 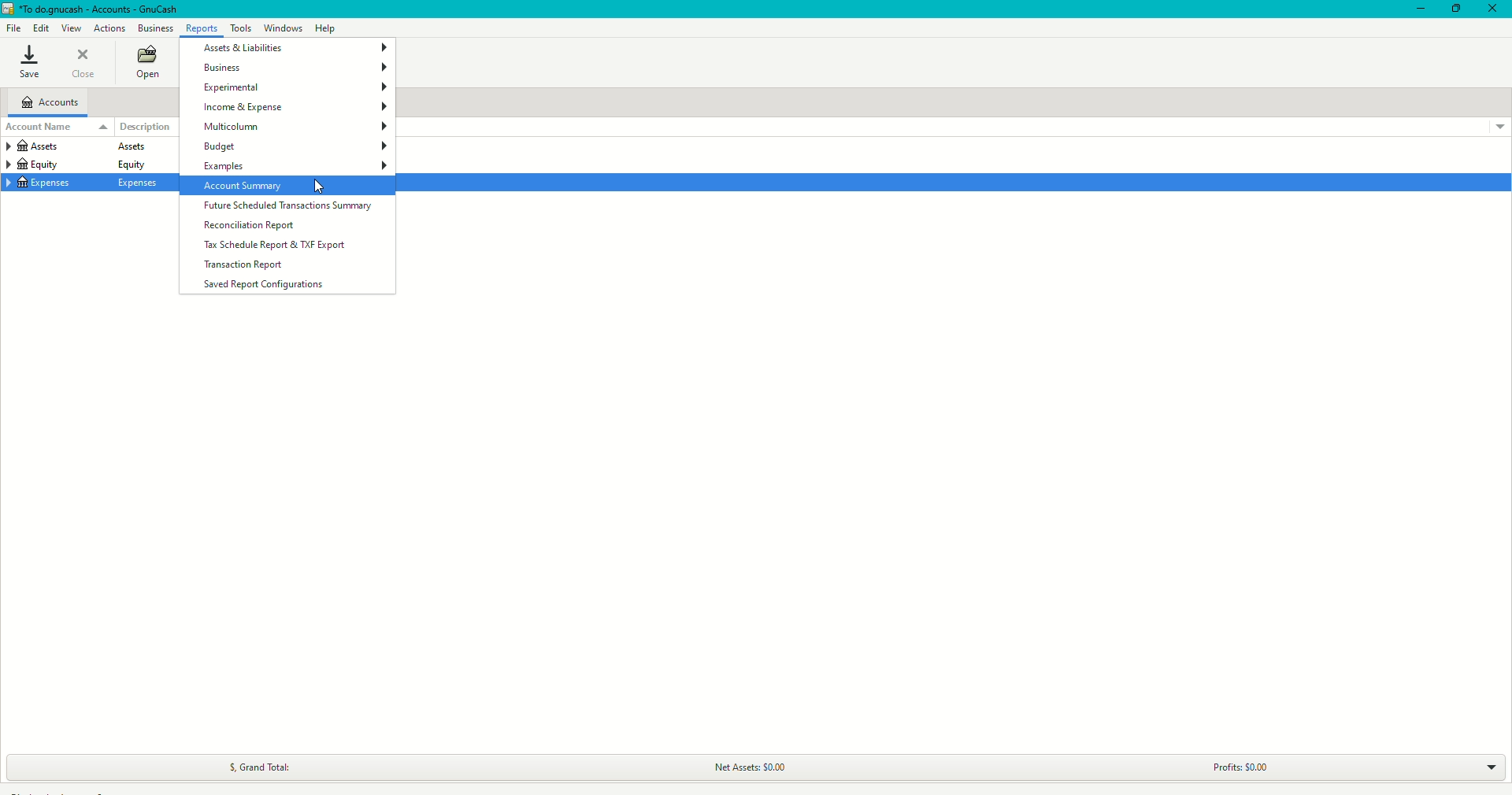 What do you see at coordinates (246, 185) in the screenshot?
I see `Account Summary` at bounding box center [246, 185].